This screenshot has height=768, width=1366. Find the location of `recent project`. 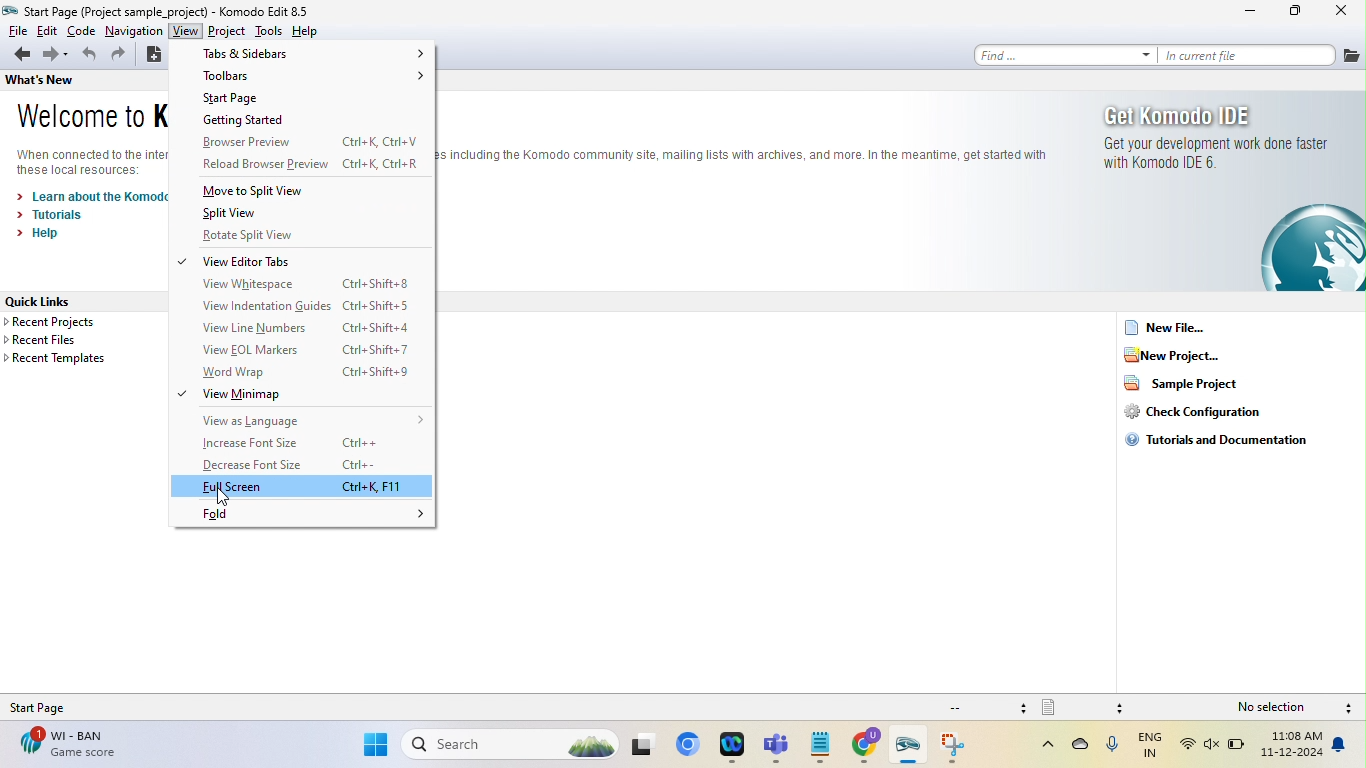

recent project is located at coordinates (73, 323).